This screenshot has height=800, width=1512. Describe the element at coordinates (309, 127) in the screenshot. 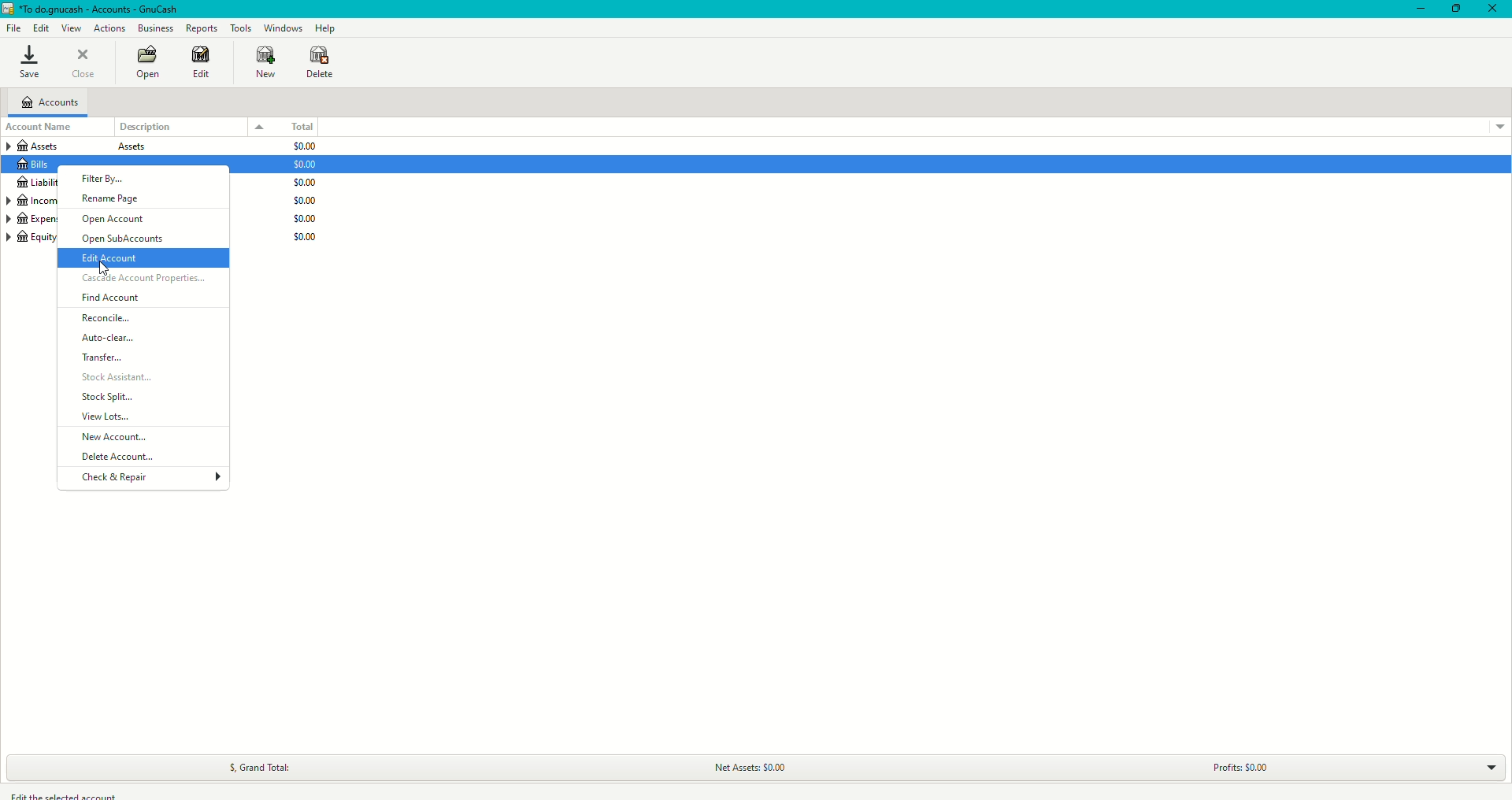

I see `Total` at that location.